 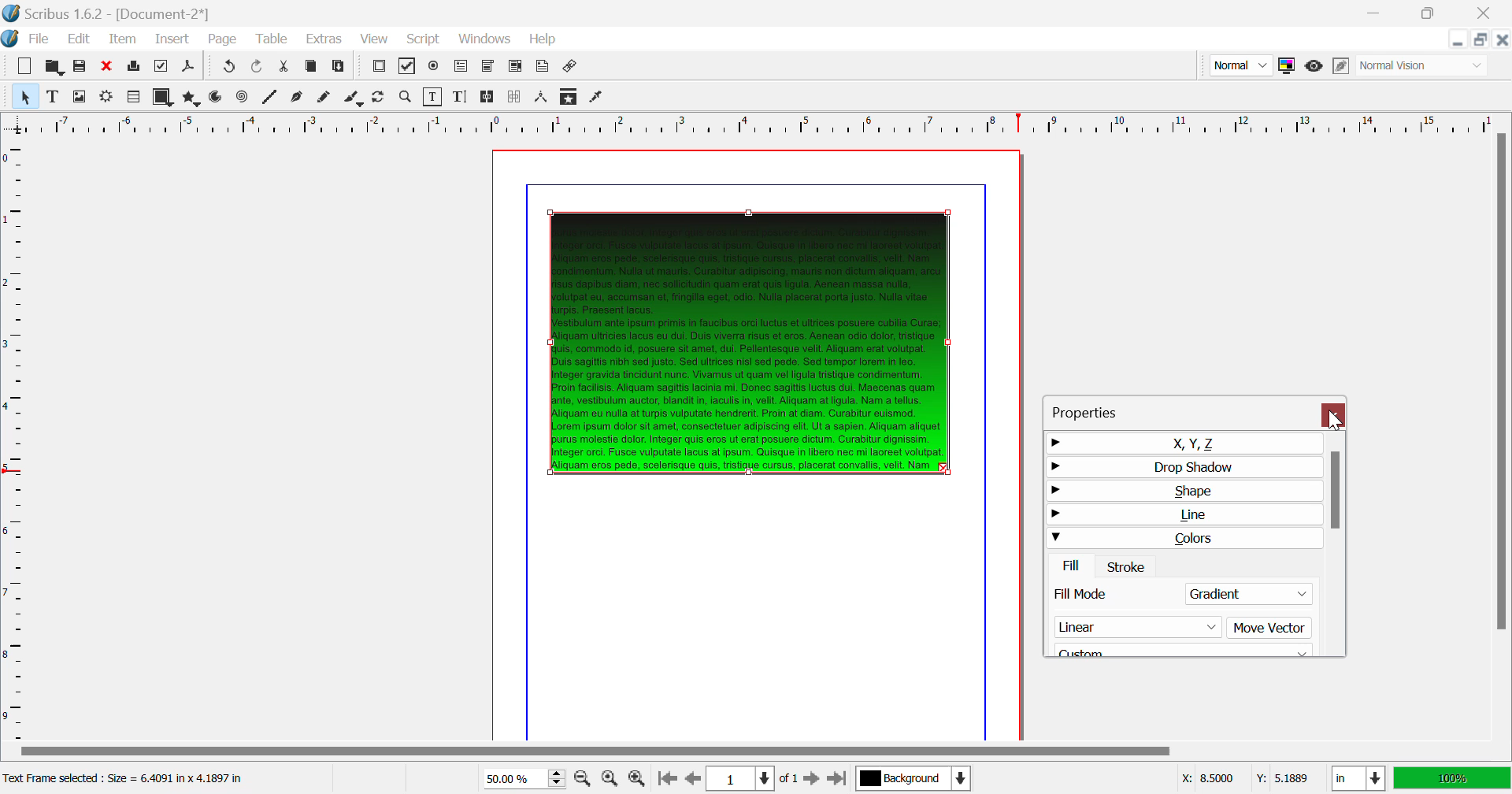 I want to click on Drop Shadow, so click(x=1181, y=466).